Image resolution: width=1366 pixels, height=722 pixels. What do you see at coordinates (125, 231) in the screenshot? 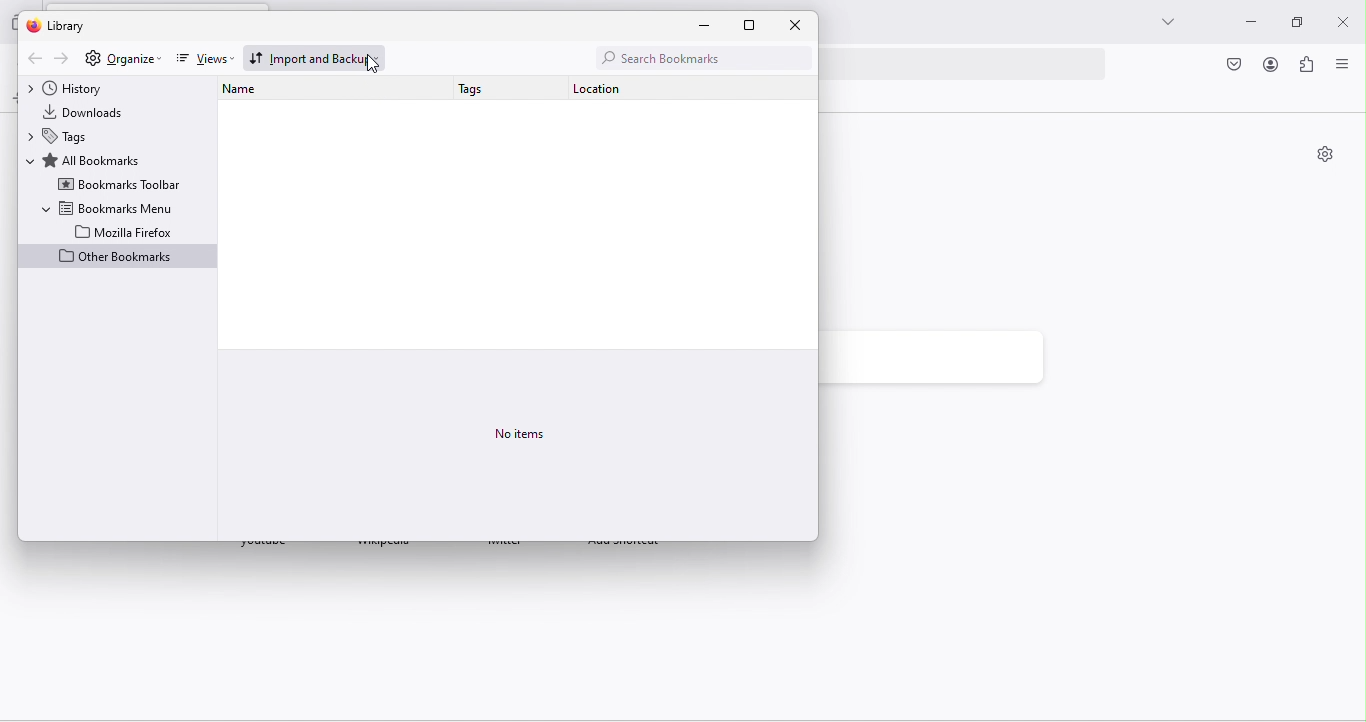
I see `mozilla firefox` at bounding box center [125, 231].